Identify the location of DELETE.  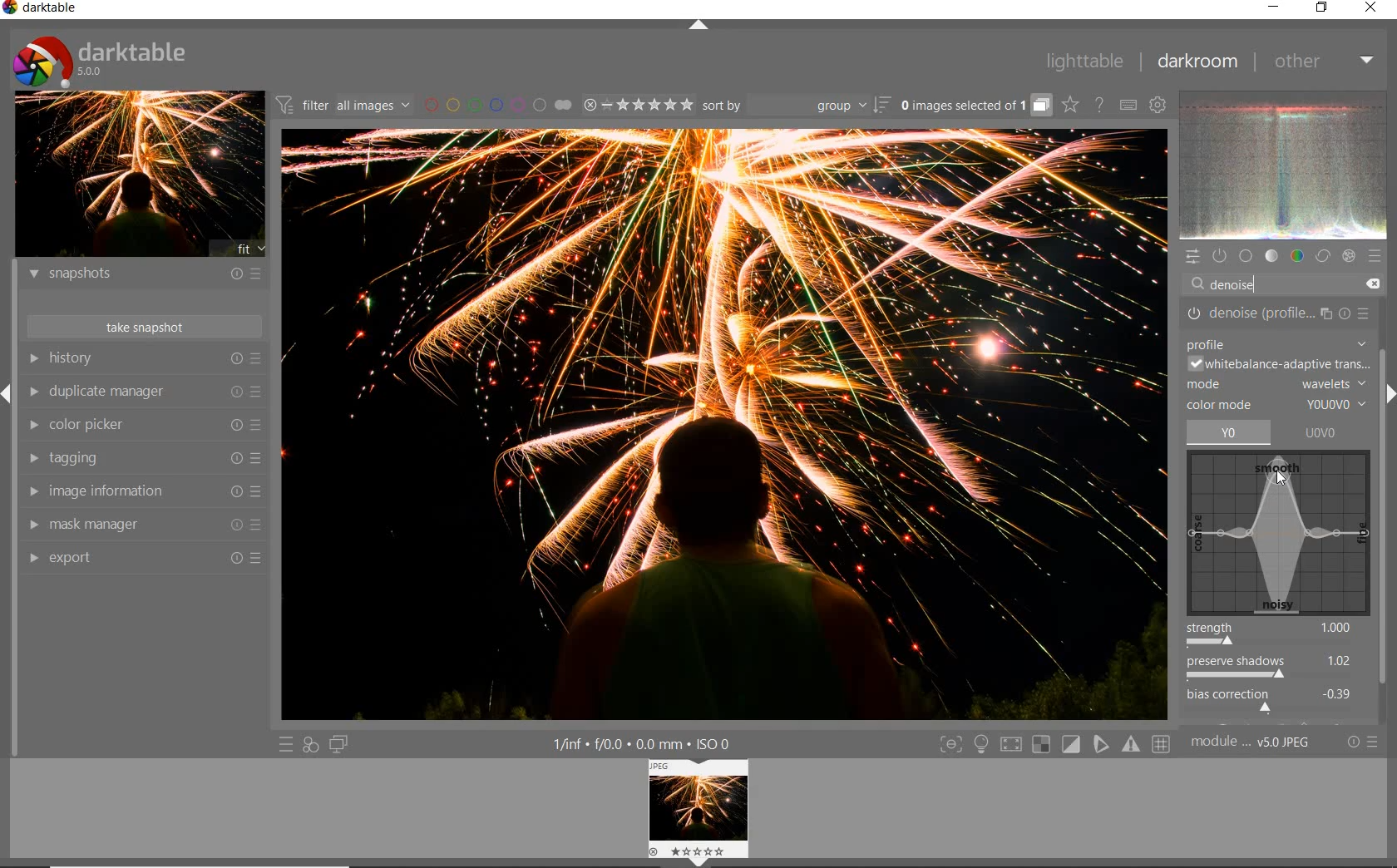
(1375, 284).